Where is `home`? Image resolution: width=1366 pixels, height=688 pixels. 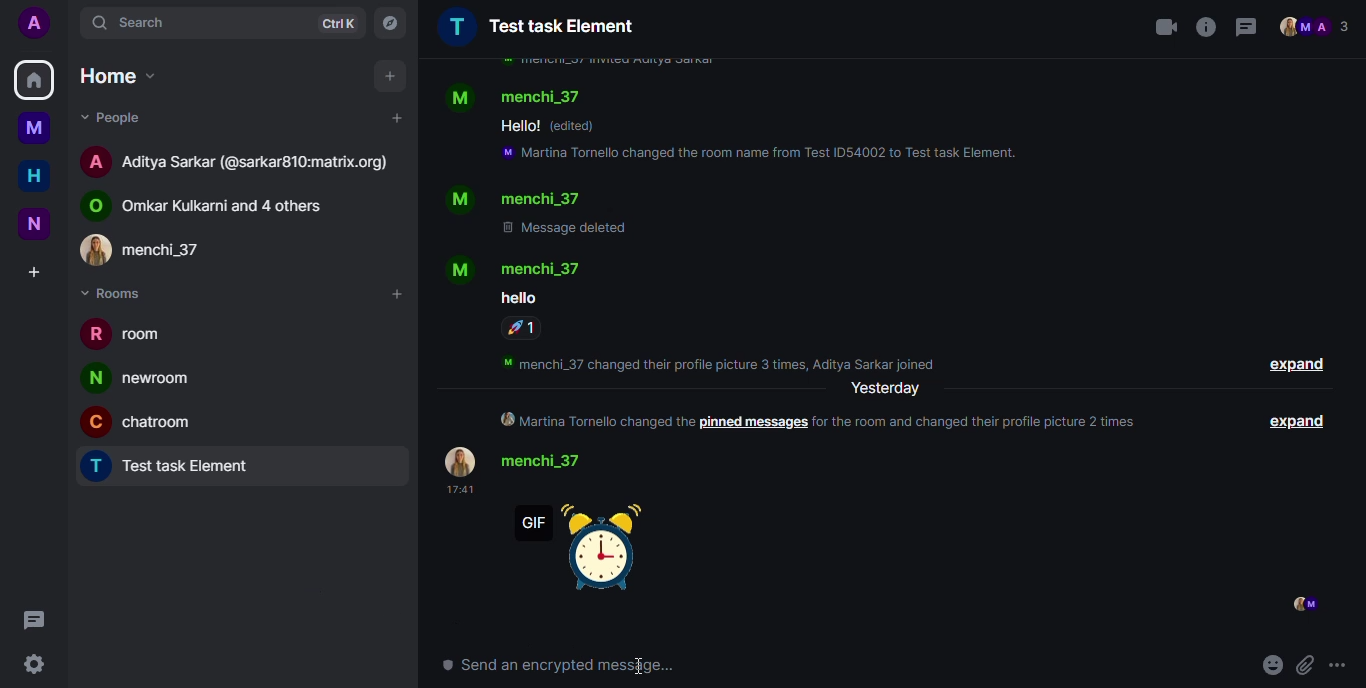
home is located at coordinates (34, 177).